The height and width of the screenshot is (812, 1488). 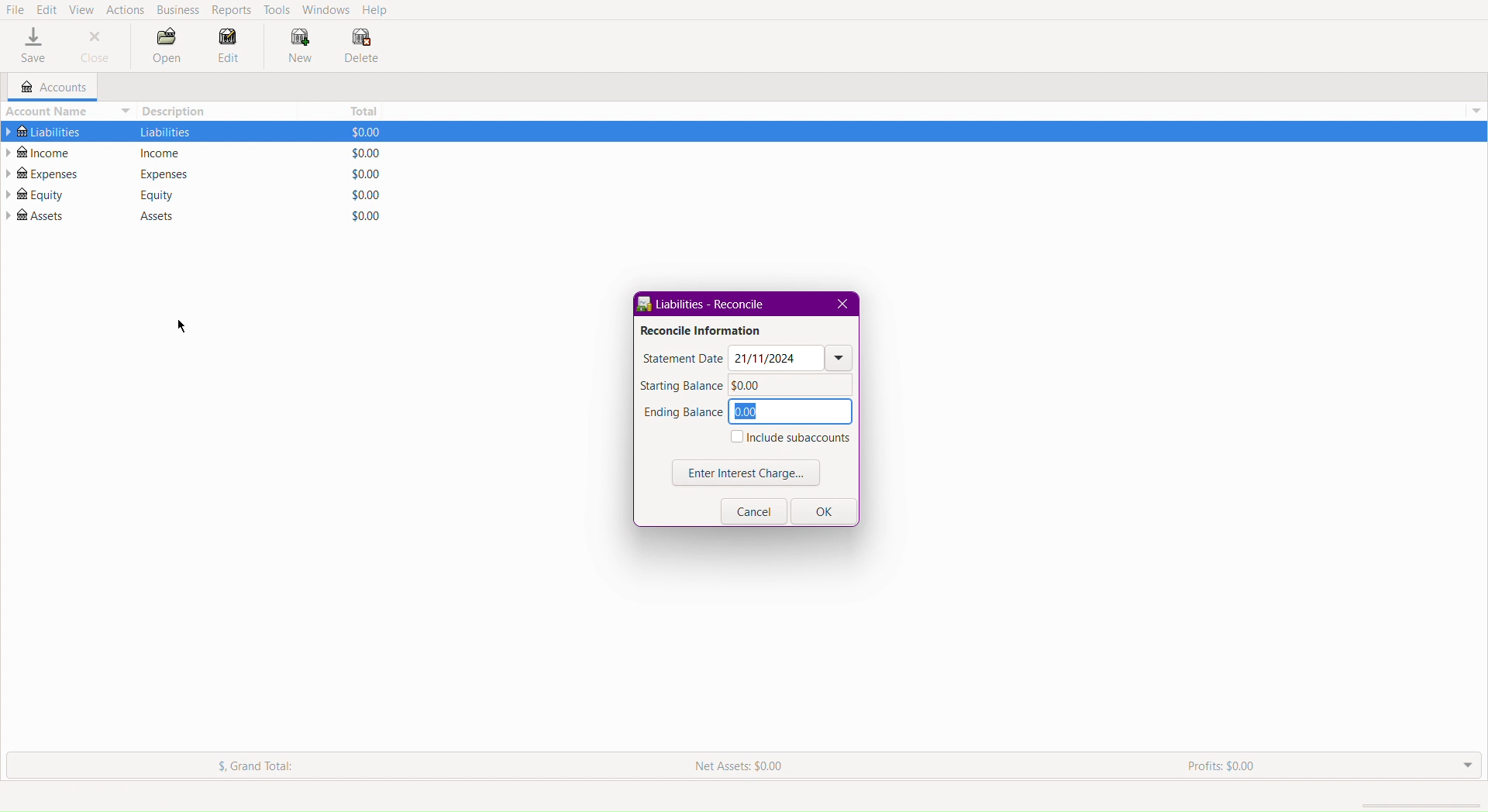 I want to click on Cancel , so click(x=752, y=512).